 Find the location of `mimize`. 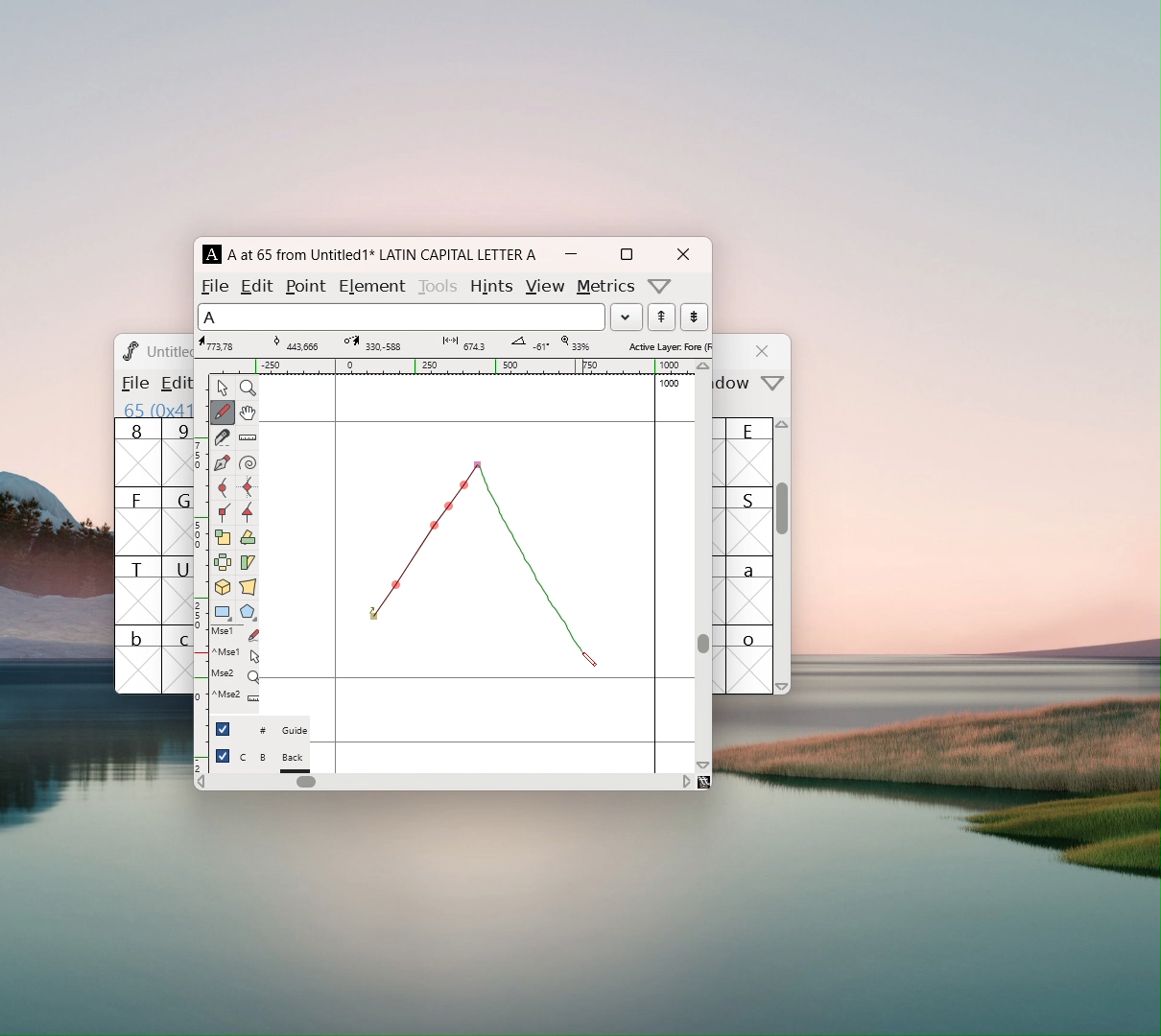

mimize is located at coordinates (571, 254).